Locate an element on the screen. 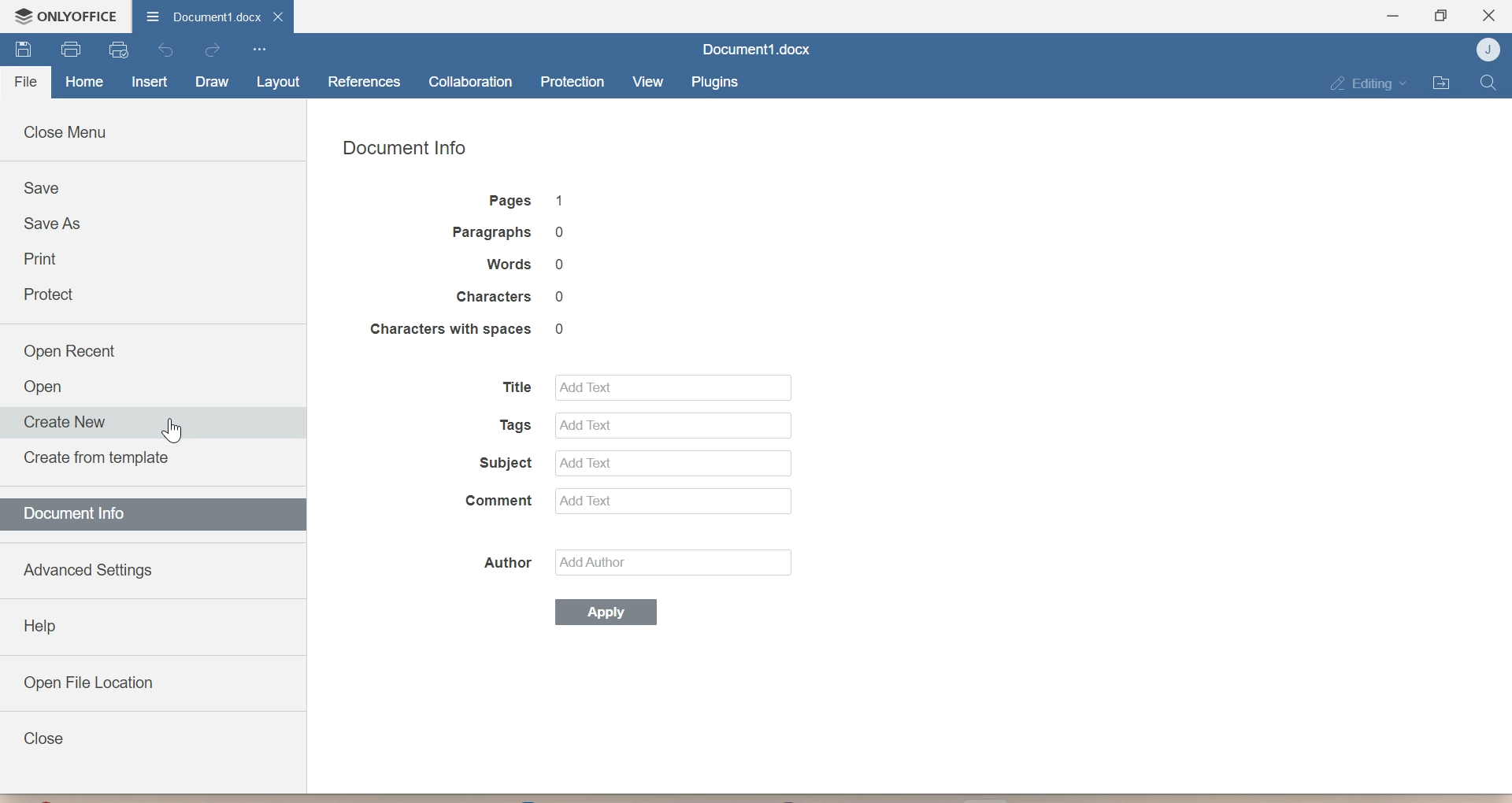  Save as is located at coordinates (52, 224).